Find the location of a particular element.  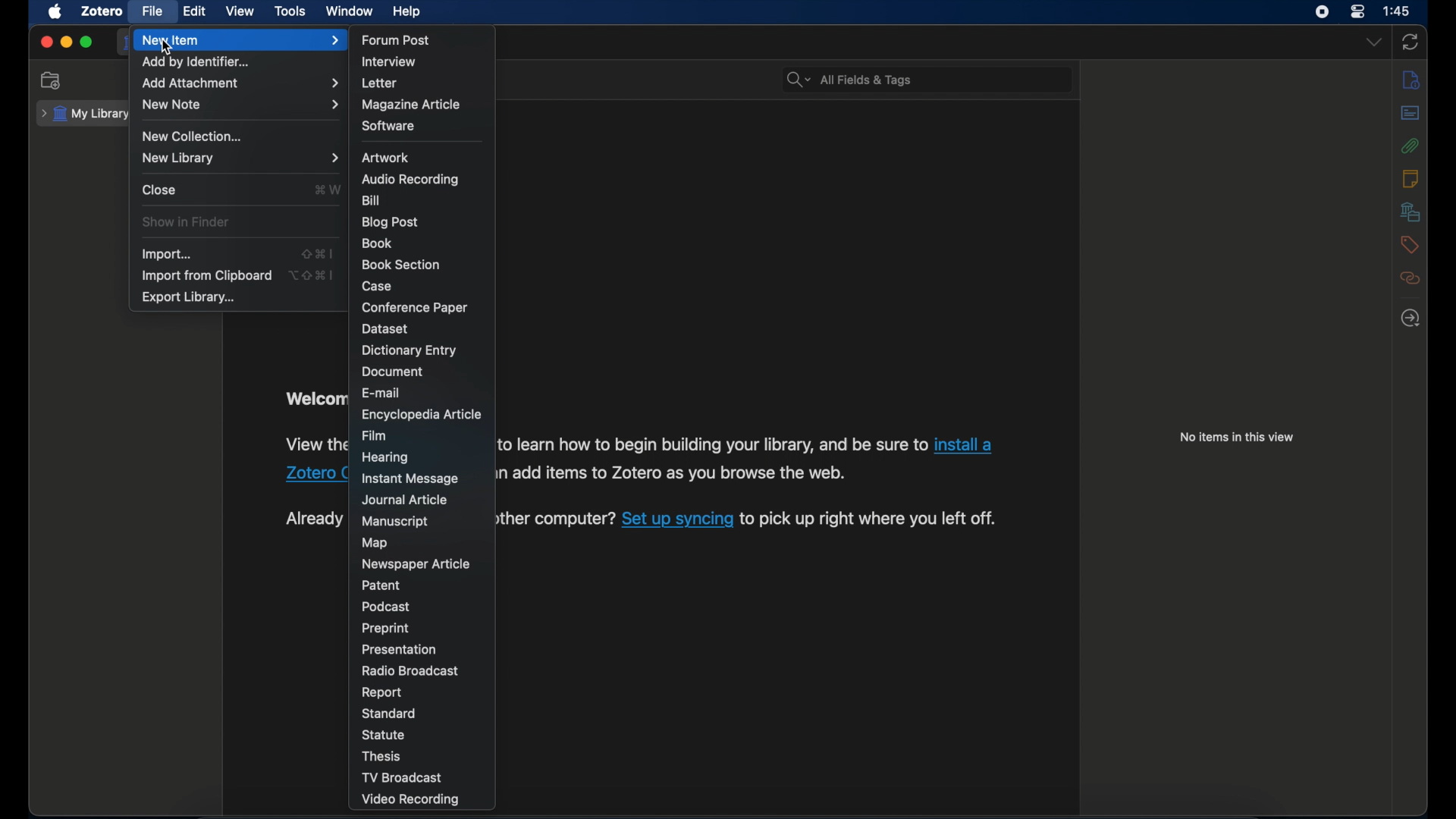

statue is located at coordinates (384, 735).